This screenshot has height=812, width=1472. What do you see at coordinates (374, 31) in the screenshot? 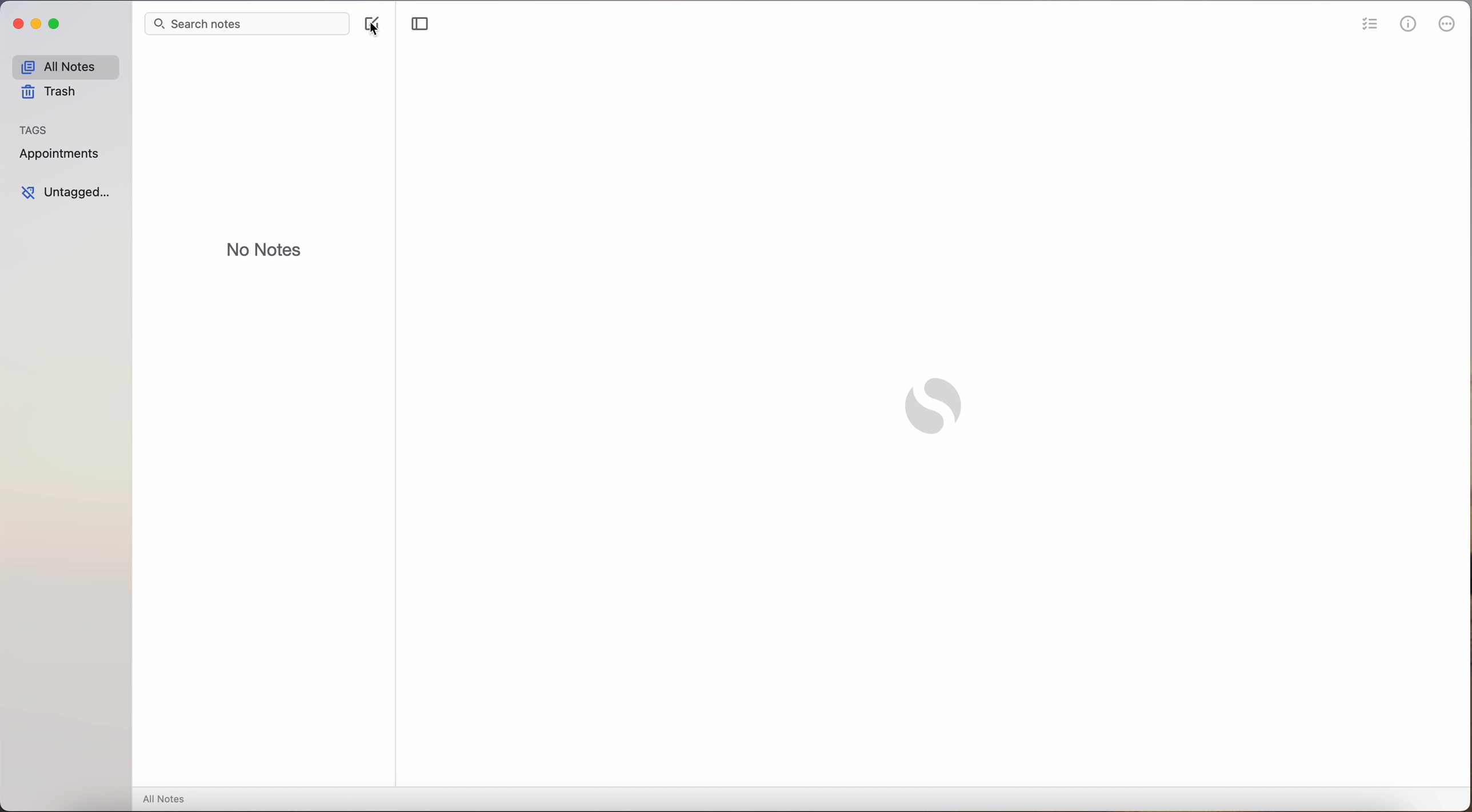
I see `cursor` at bounding box center [374, 31].